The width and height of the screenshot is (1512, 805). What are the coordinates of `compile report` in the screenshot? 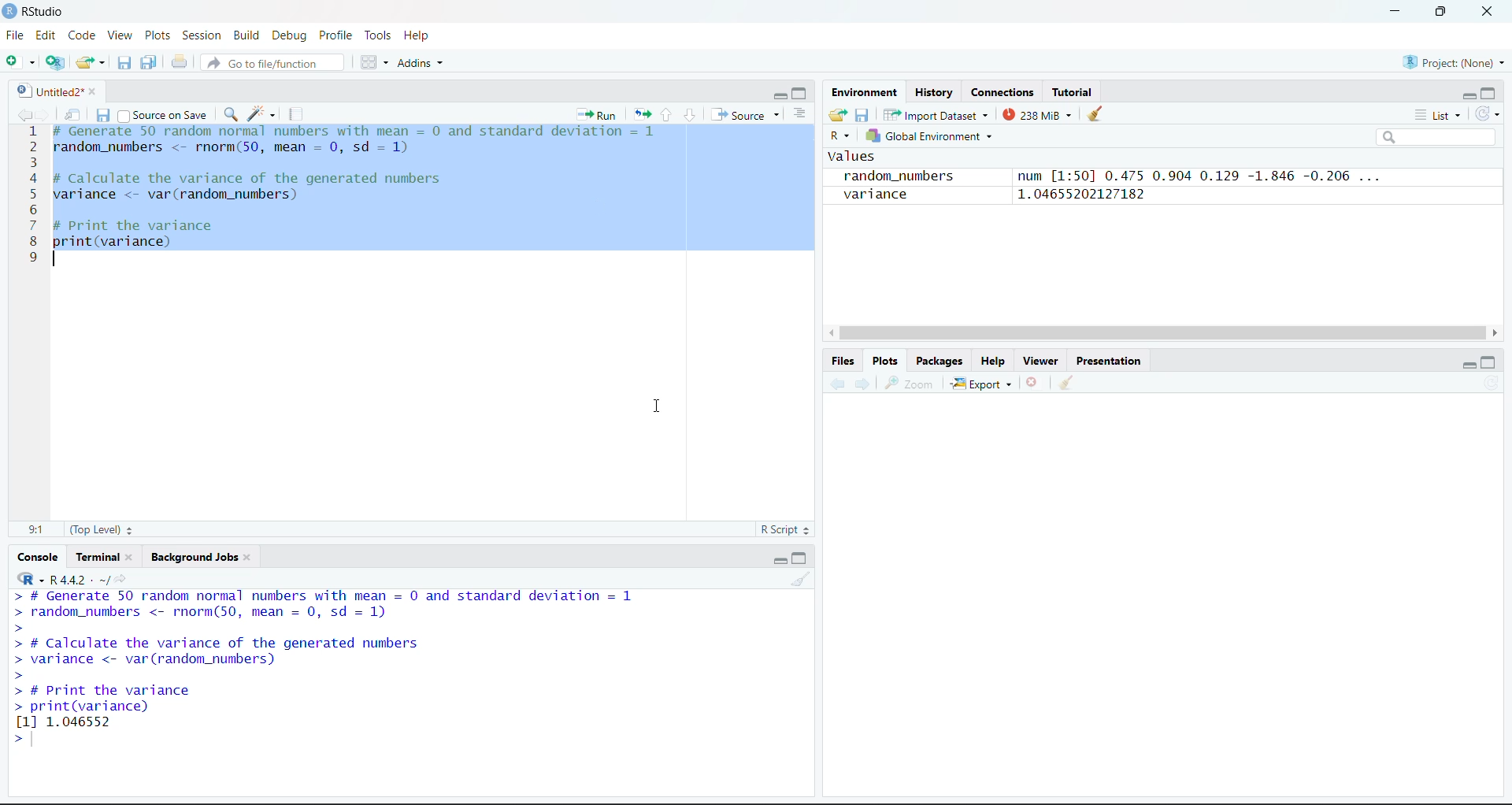 It's located at (296, 114).